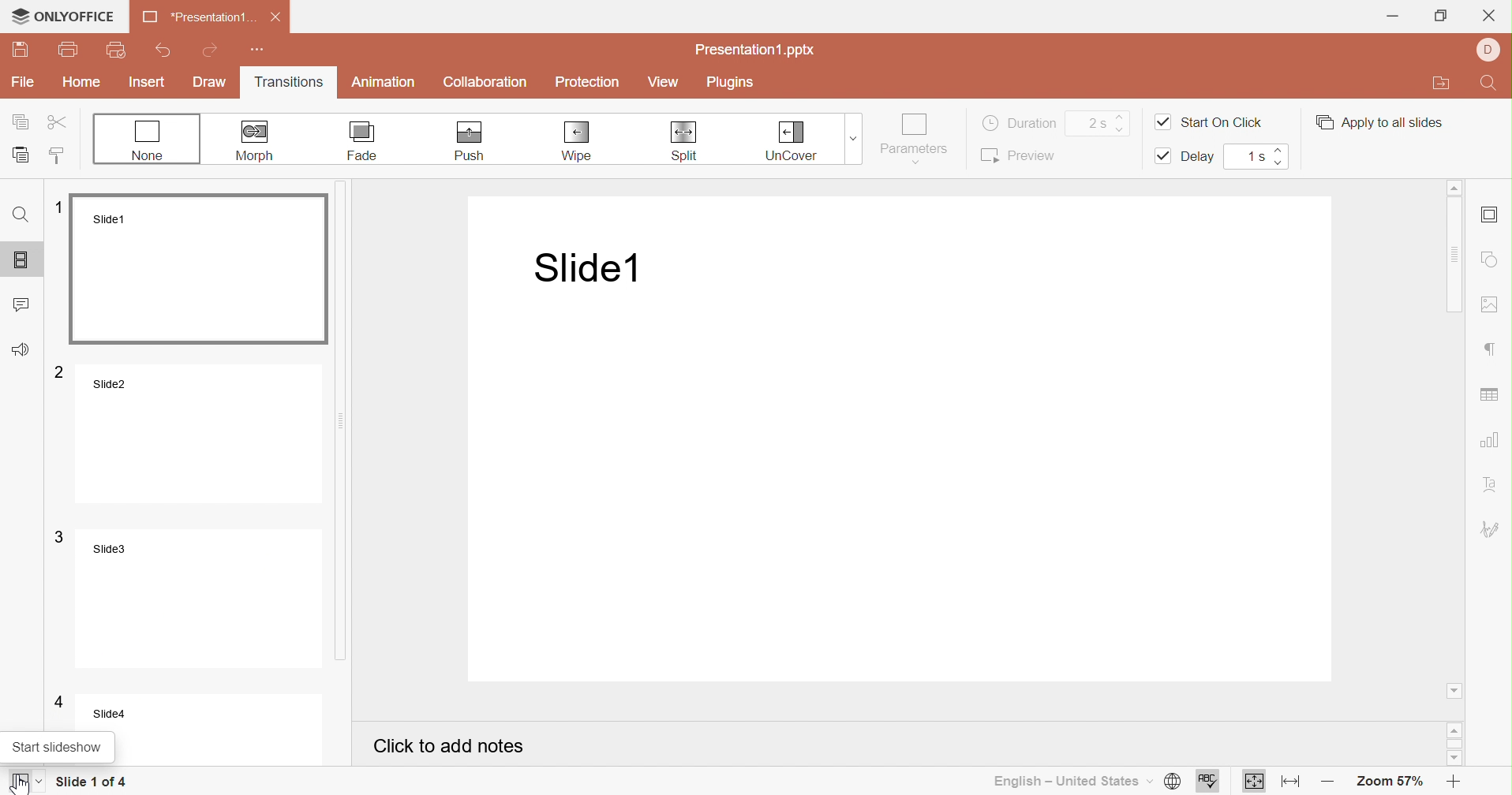  What do you see at coordinates (791, 141) in the screenshot?
I see `Un-Cover` at bounding box center [791, 141].